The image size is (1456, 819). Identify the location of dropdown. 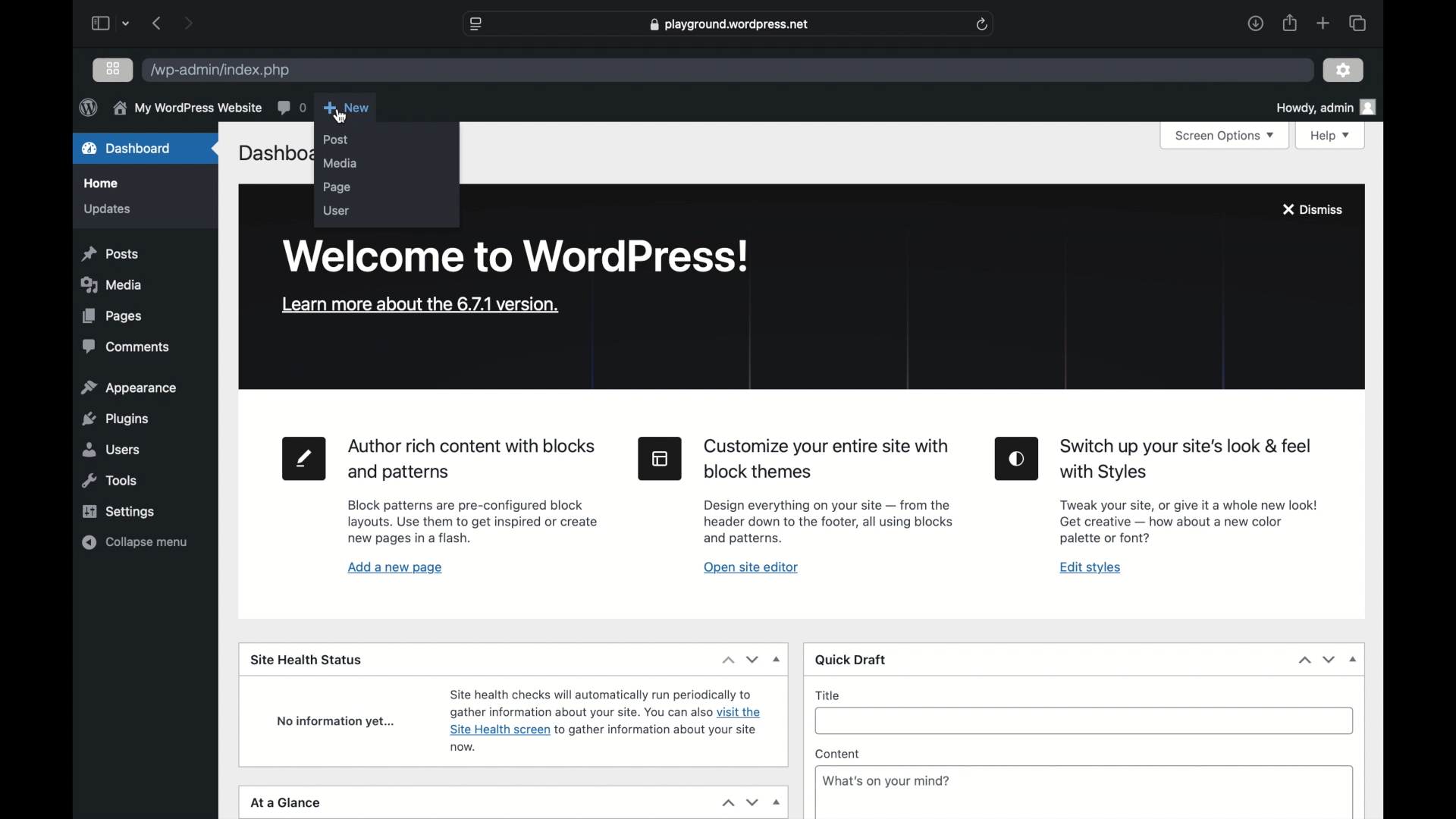
(127, 24).